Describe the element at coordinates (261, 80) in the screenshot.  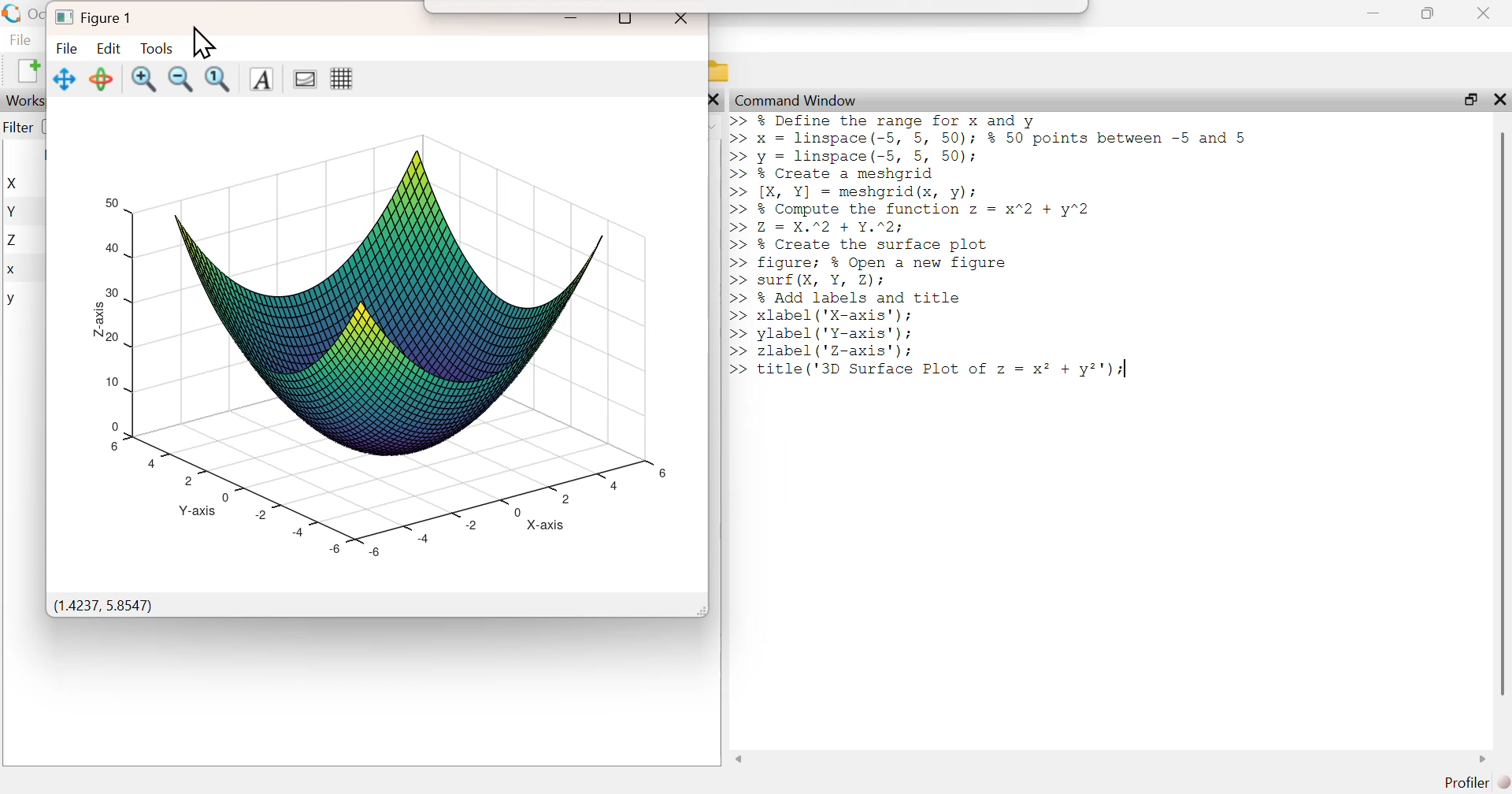
I see `Text` at that location.